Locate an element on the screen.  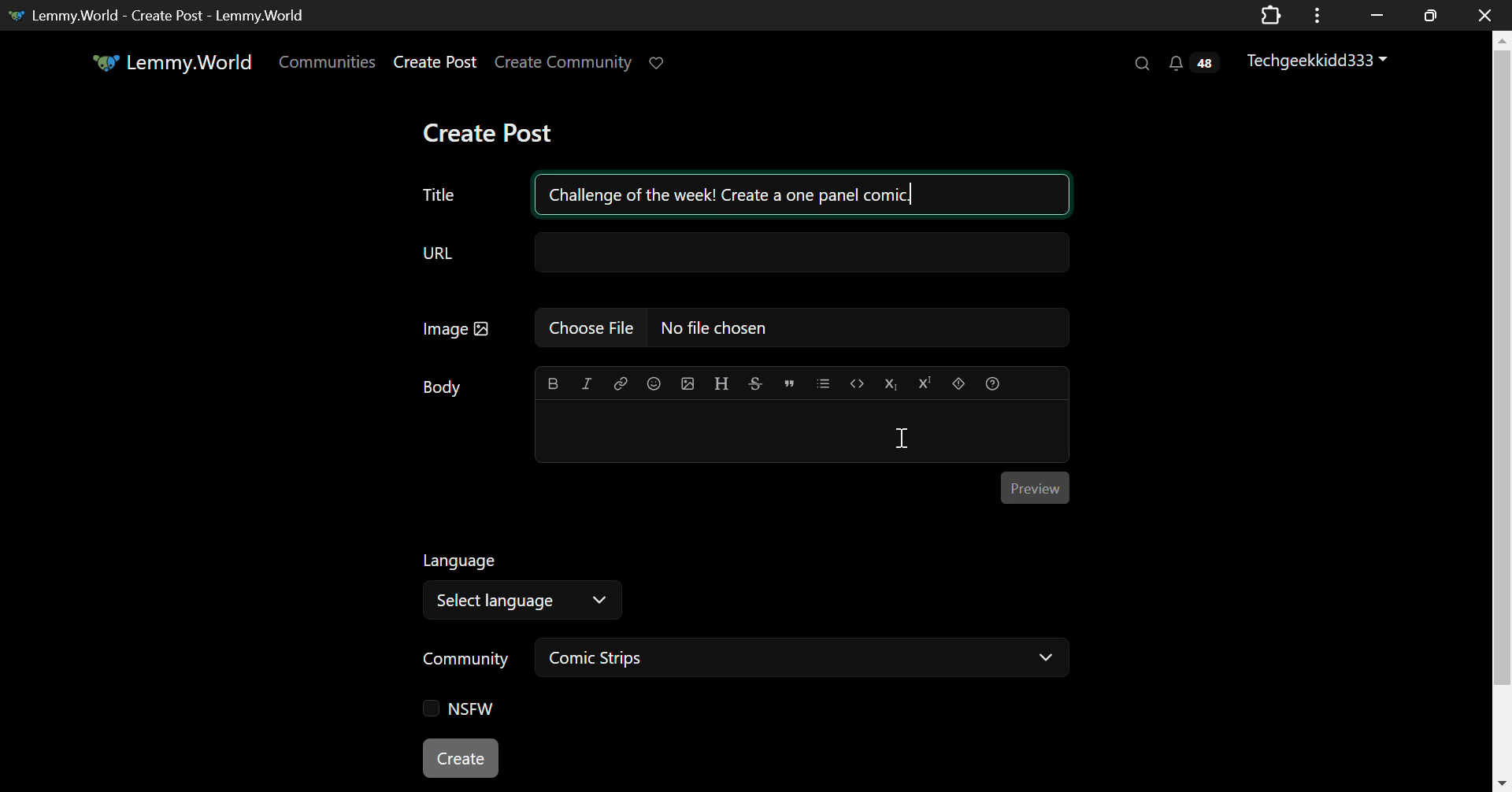
Cursor on Post Body Textbox is located at coordinates (902, 436).